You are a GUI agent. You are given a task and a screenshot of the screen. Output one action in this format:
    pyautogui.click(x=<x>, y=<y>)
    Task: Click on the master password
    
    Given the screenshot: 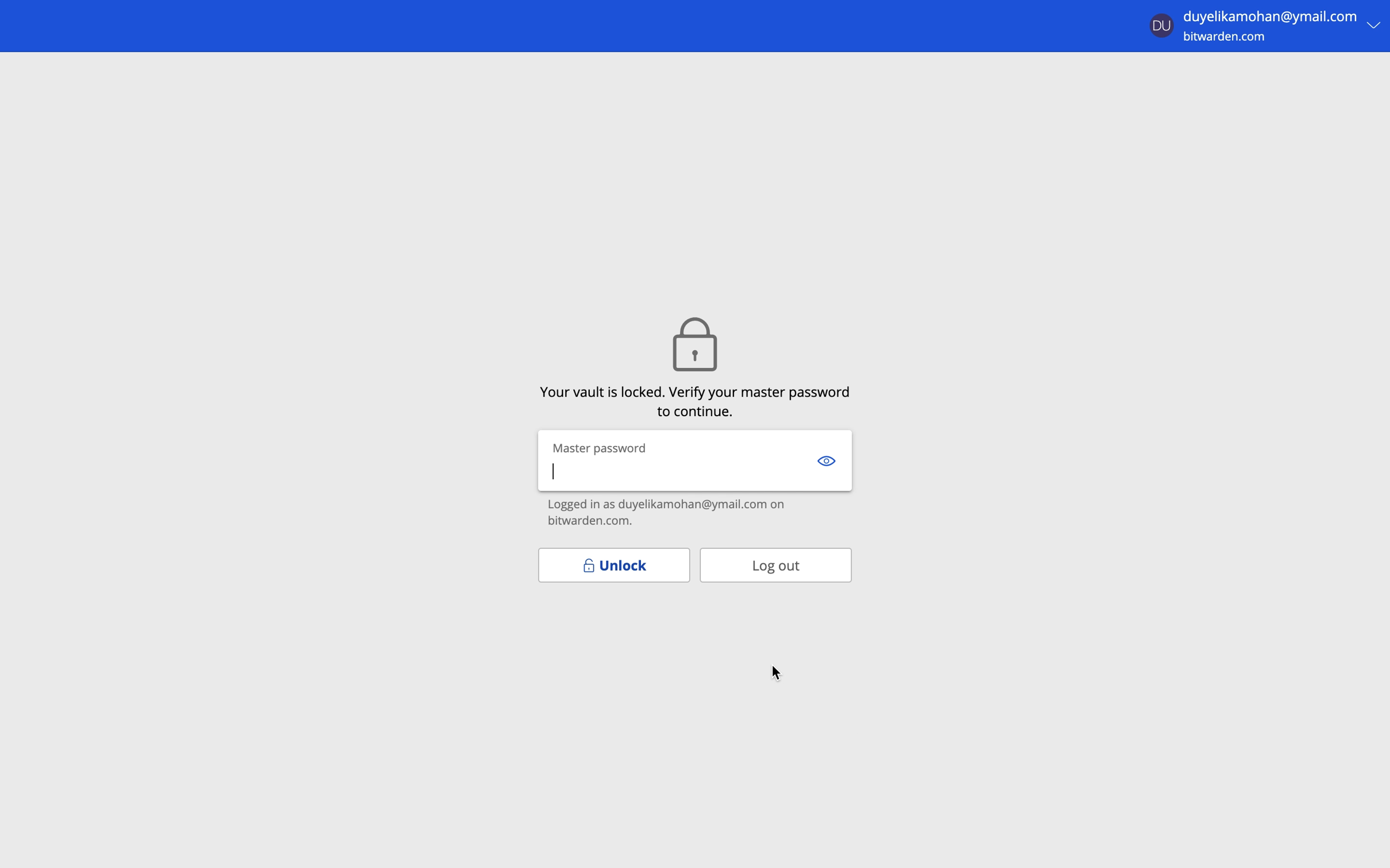 What is the action you would take?
    pyautogui.click(x=601, y=447)
    